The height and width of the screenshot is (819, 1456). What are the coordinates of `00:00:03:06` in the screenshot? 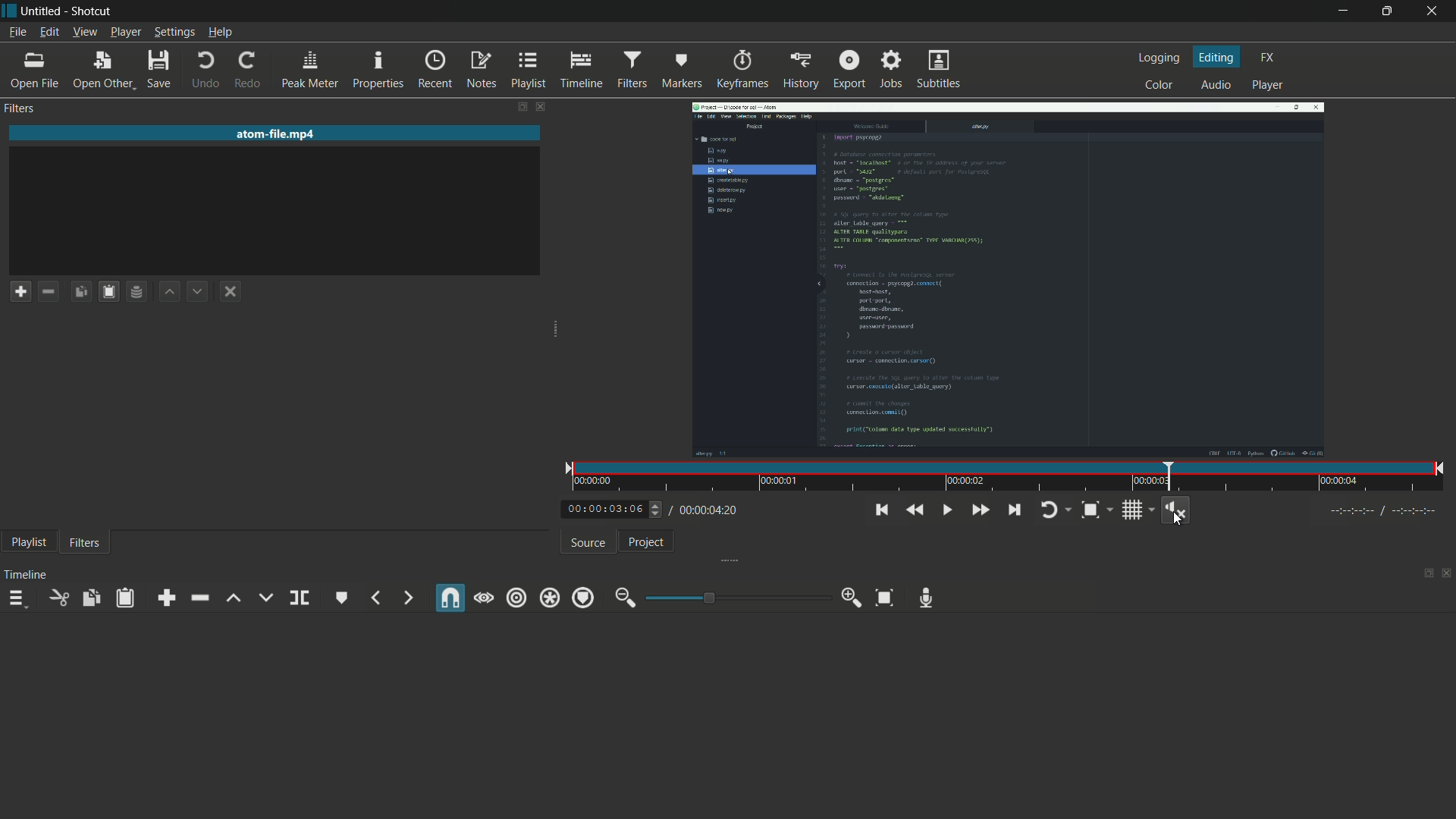 It's located at (599, 510).